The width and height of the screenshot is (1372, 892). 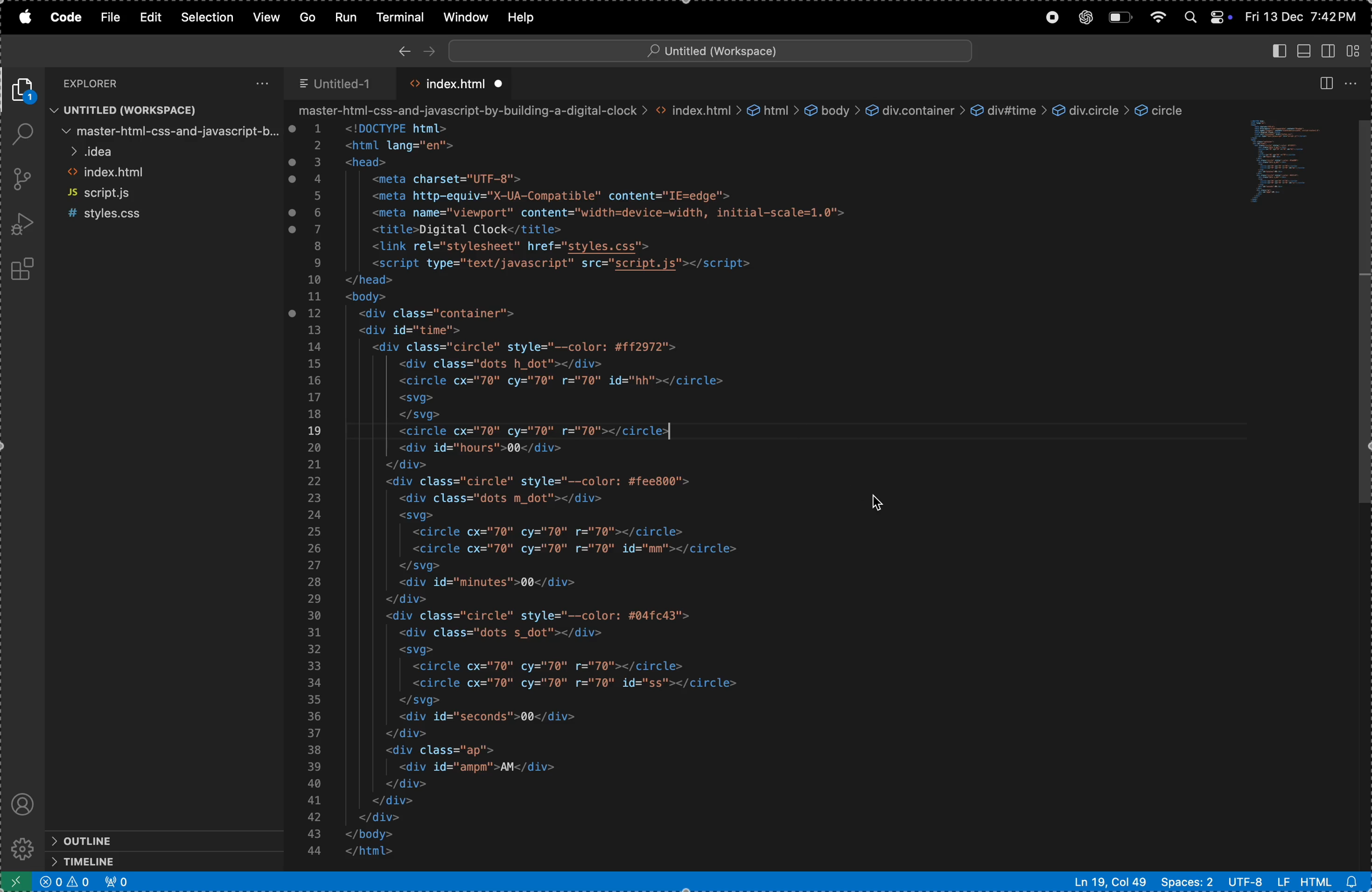 I want to click on search, so click(x=22, y=135).